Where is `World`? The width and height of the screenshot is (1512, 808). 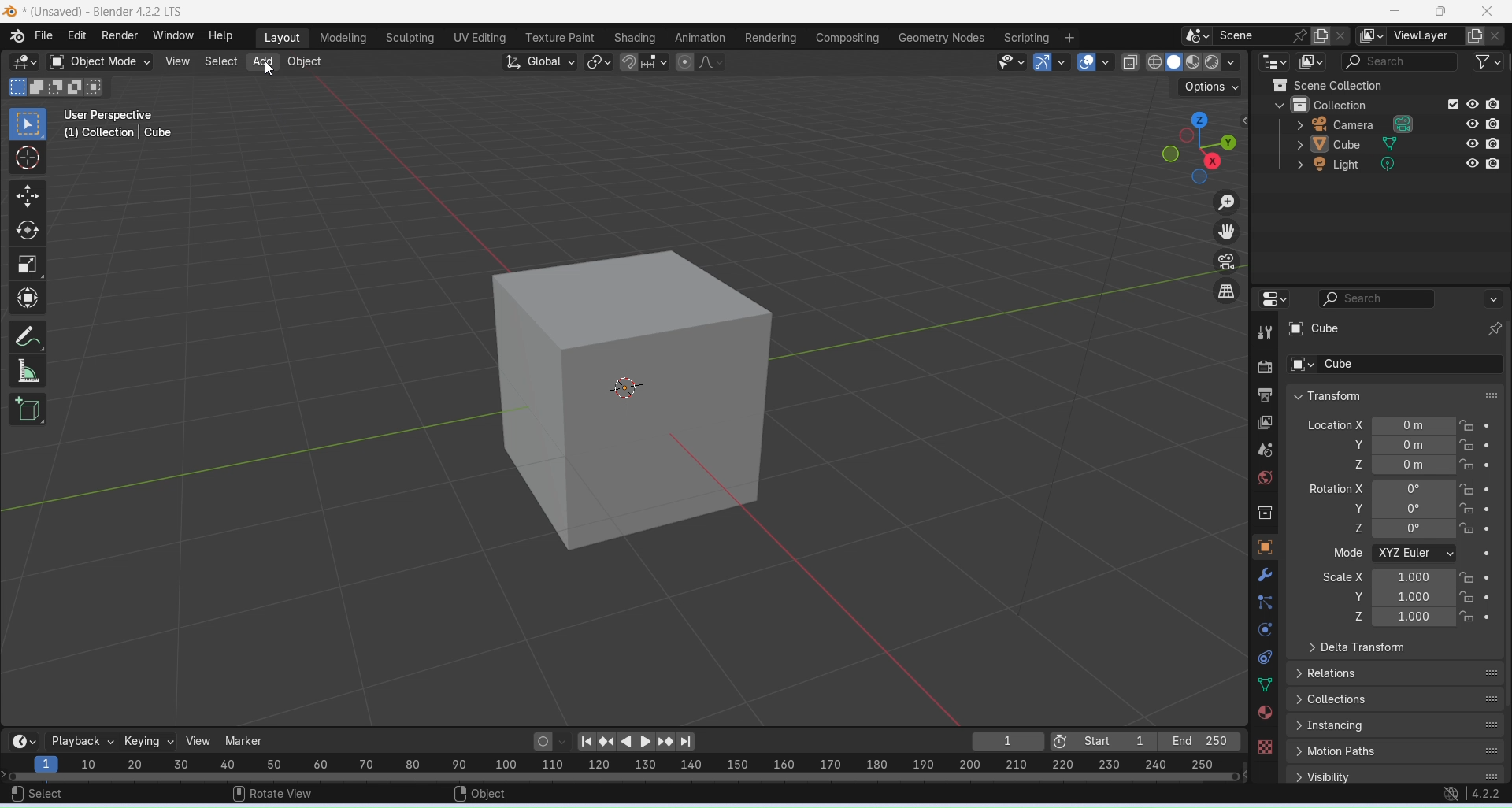 World is located at coordinates (1264, 477).